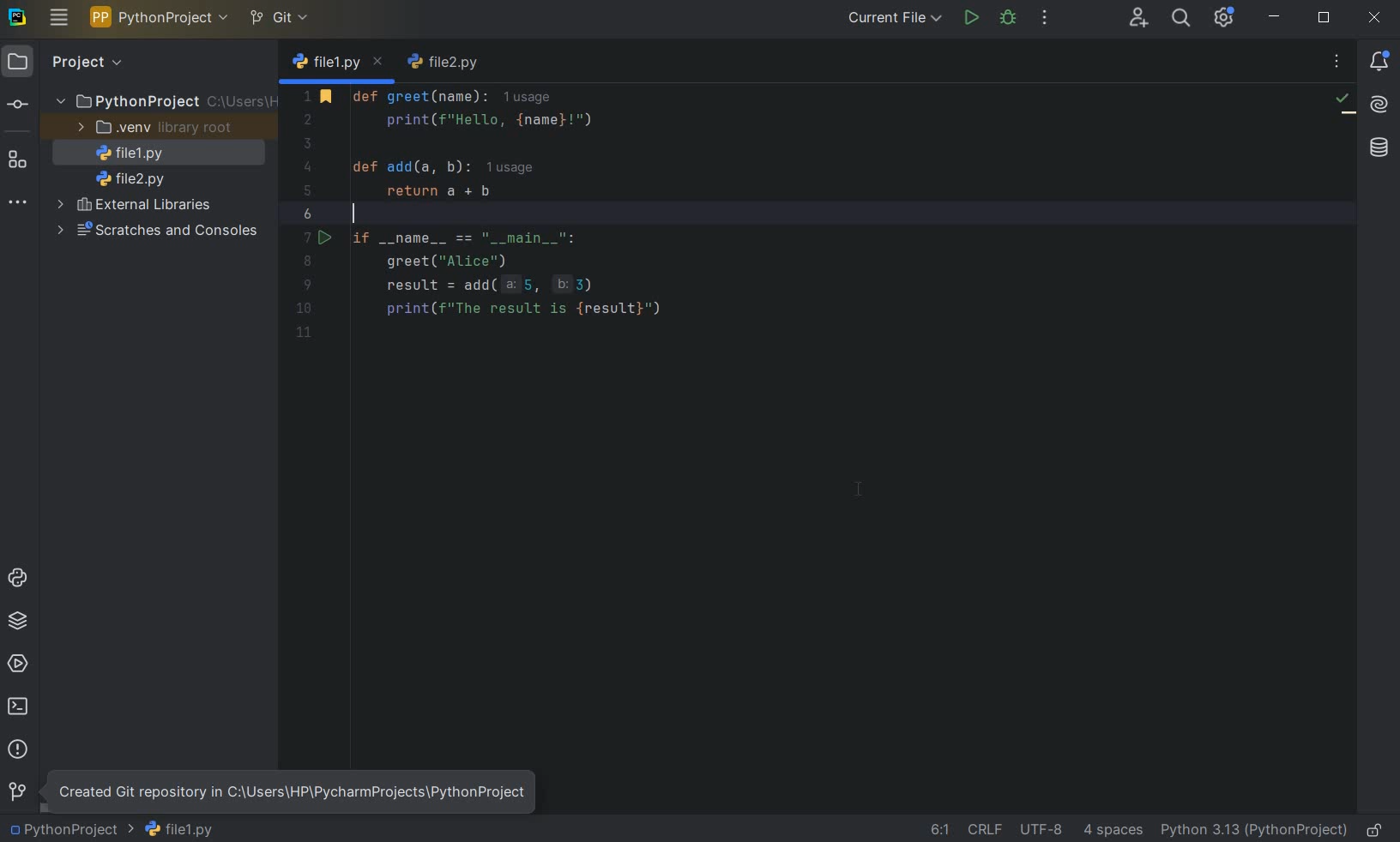 This screenshot has height=842, width=1400. Describe the element at coordinates (20, 709) in the screenshot. I see `terminal` at that location.